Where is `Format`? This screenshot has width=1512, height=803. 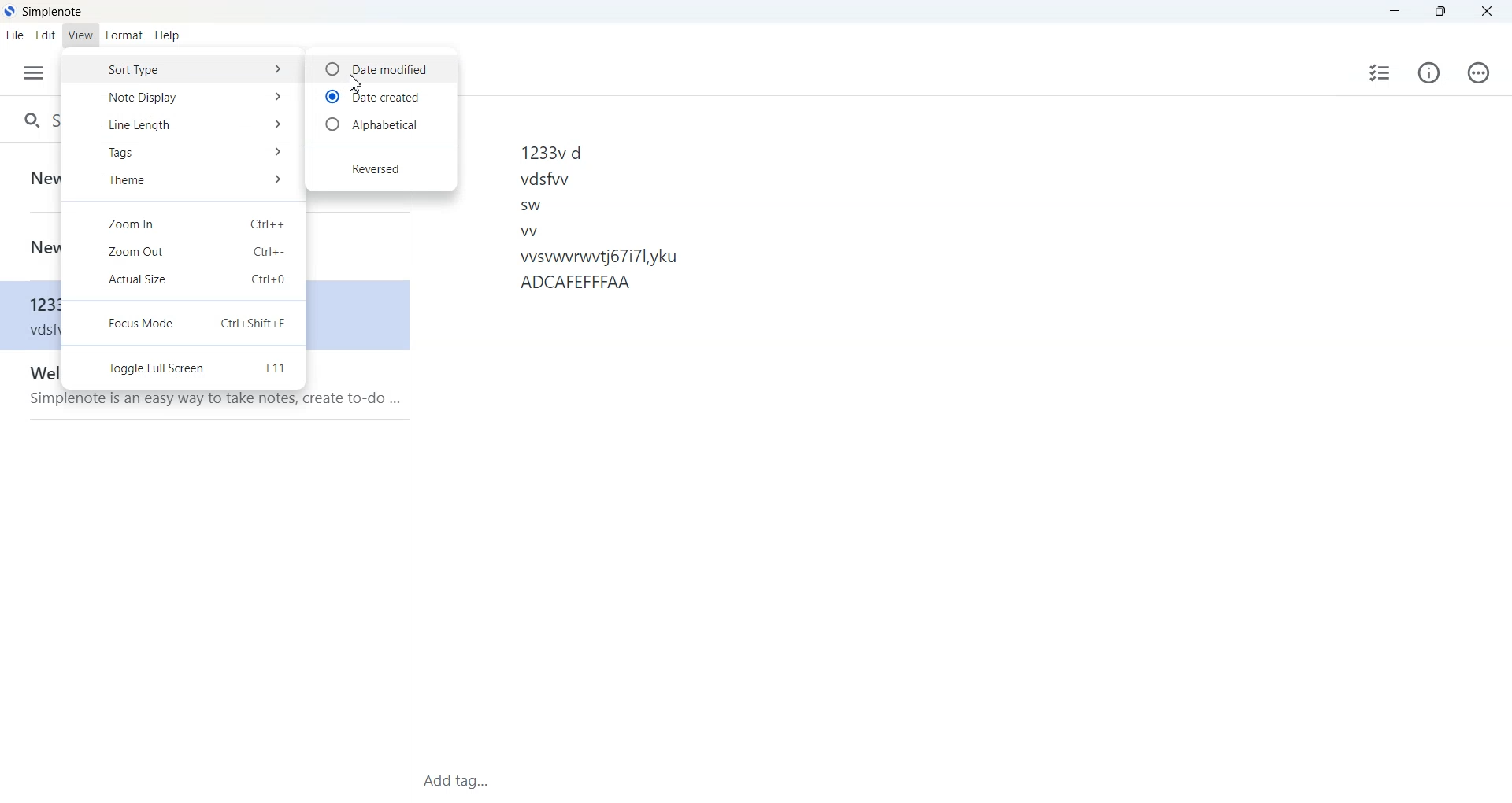
Format is located at coordinates (124, 35).